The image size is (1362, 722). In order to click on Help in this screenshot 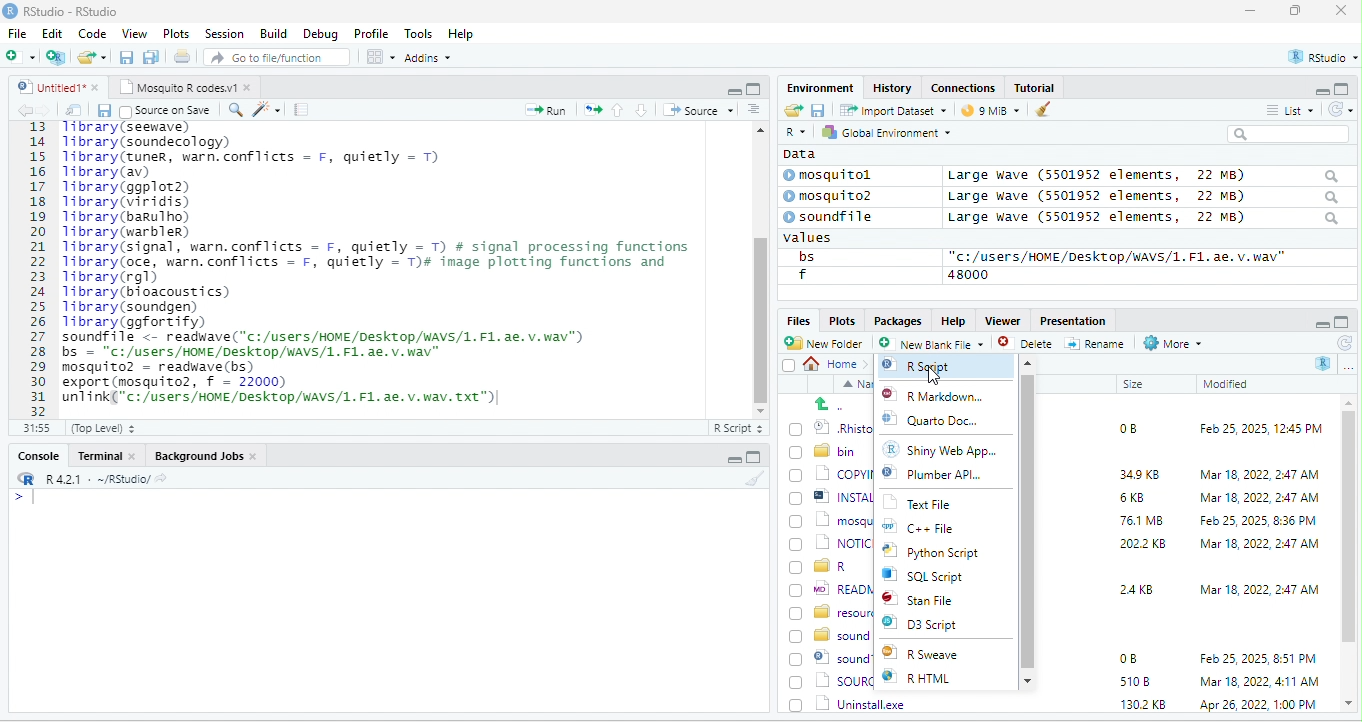, I will do `click(462, 35)`.